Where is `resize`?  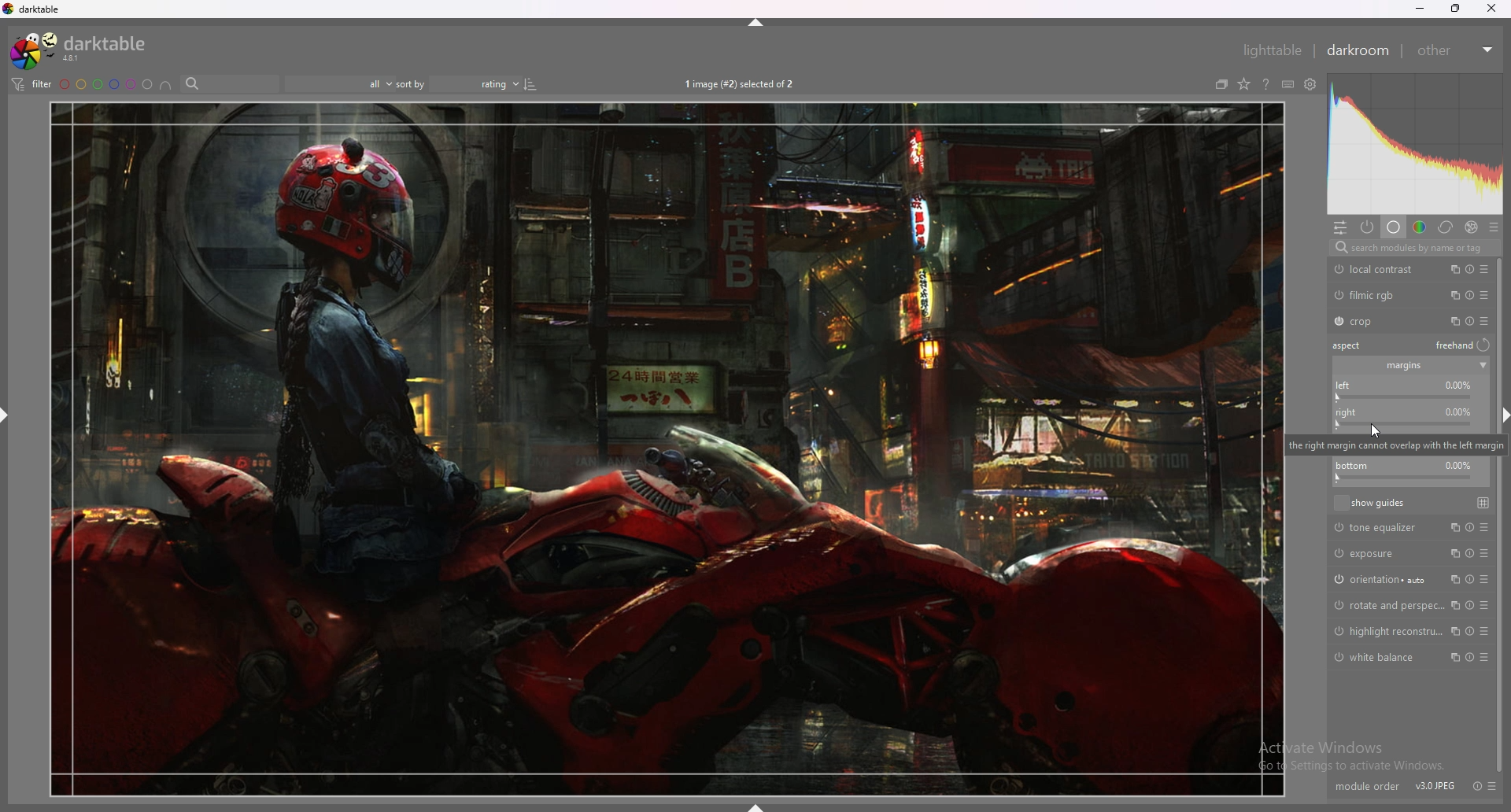
resize is located at coordinates (1455, 8).